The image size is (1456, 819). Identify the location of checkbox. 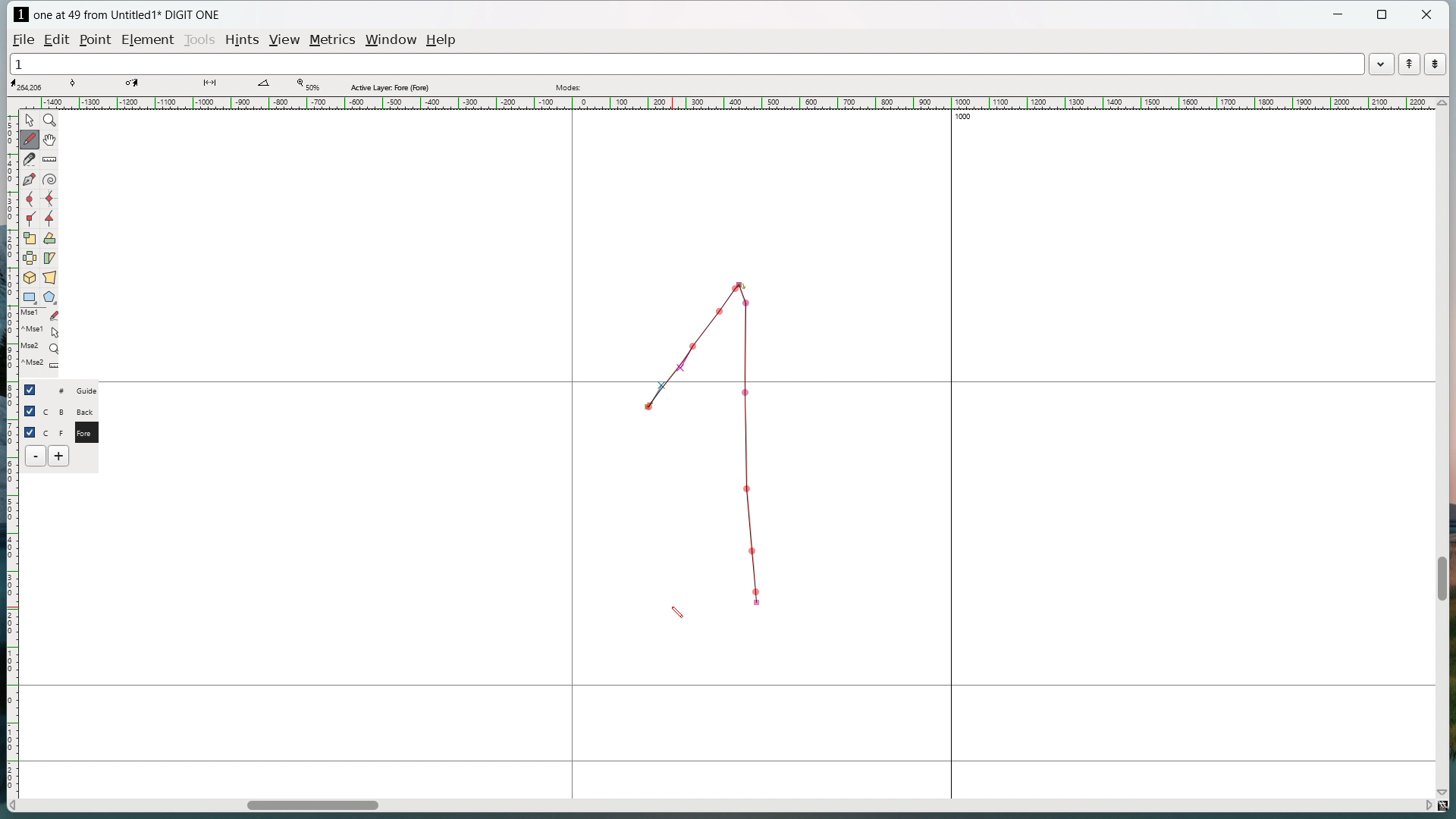
(33, 389).